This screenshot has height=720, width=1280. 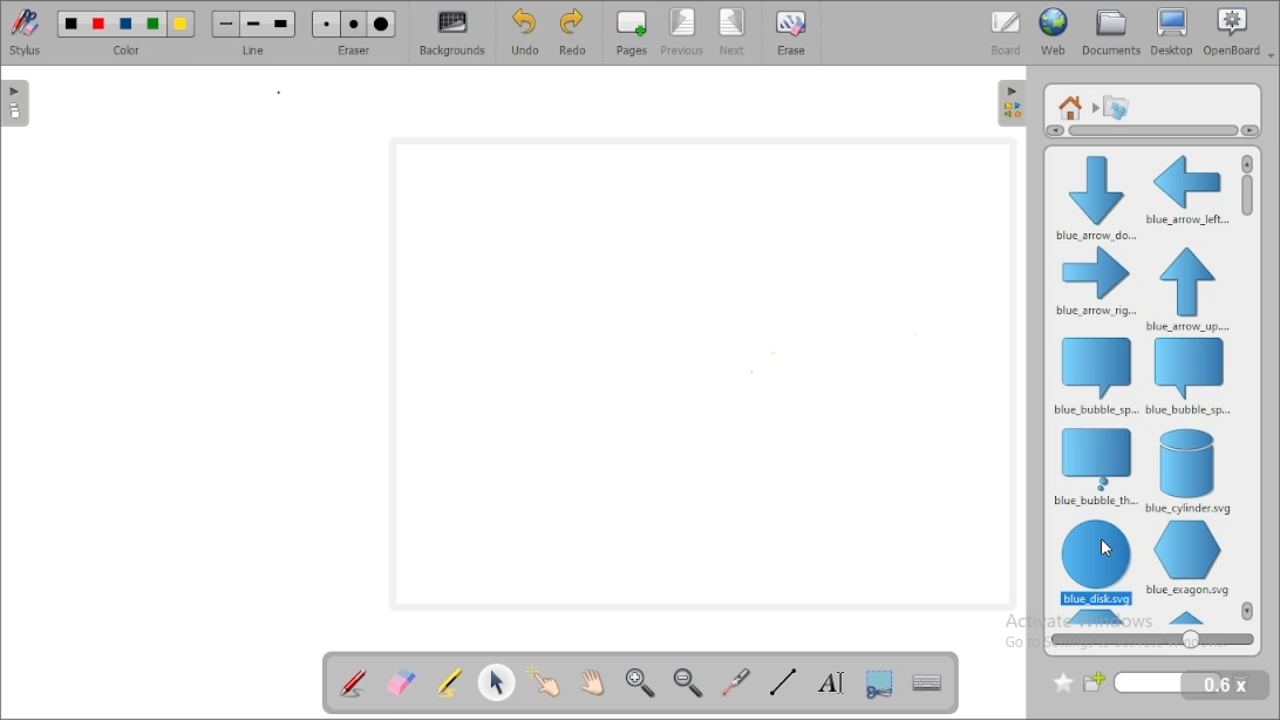 What do you see at coordinates (448, 681) in the screenshot?
I see `highlight` at bounding box center [448, 681].